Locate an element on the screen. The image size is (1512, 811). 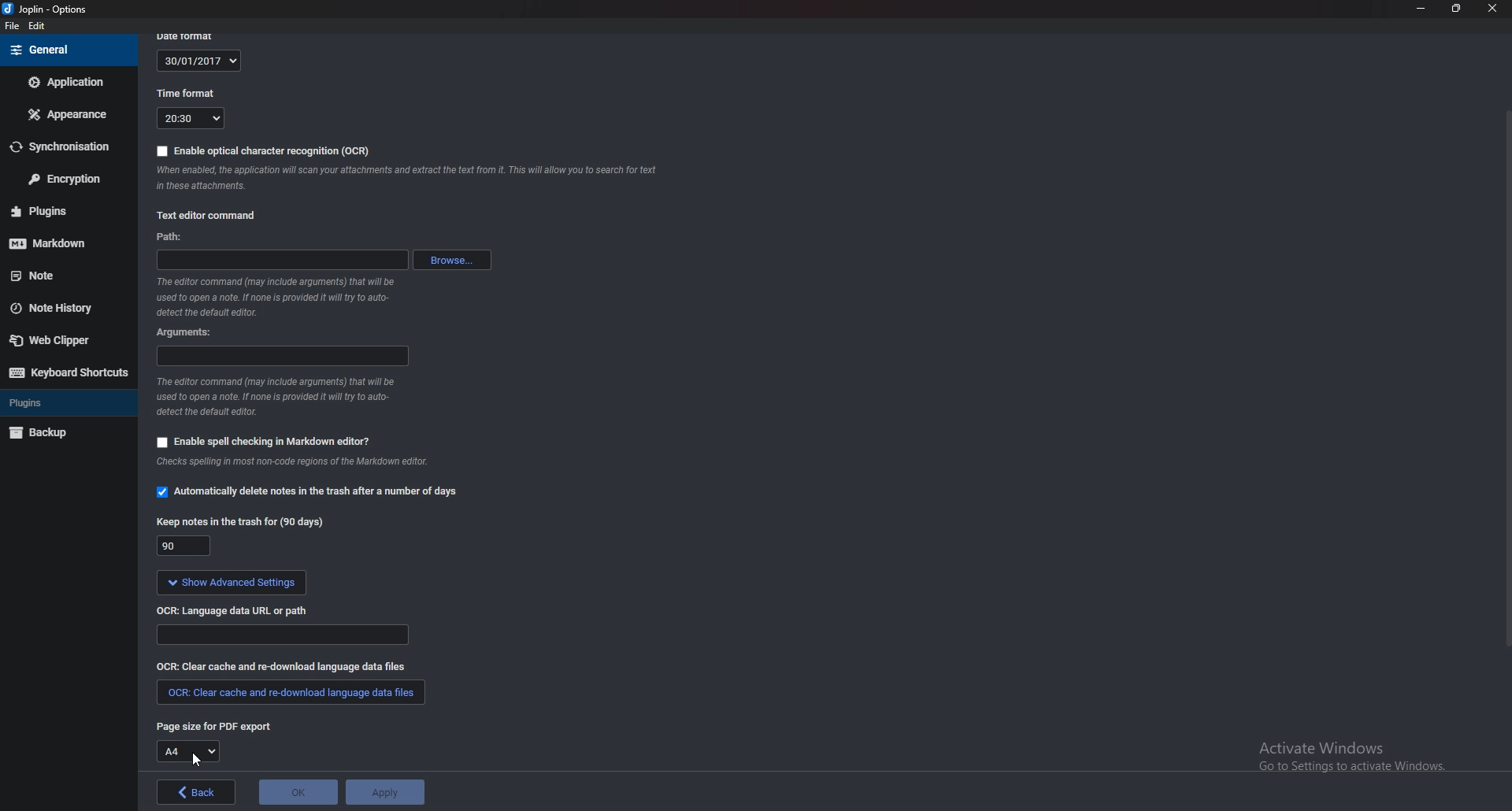
ocr info is located at coordinates (404, 177).